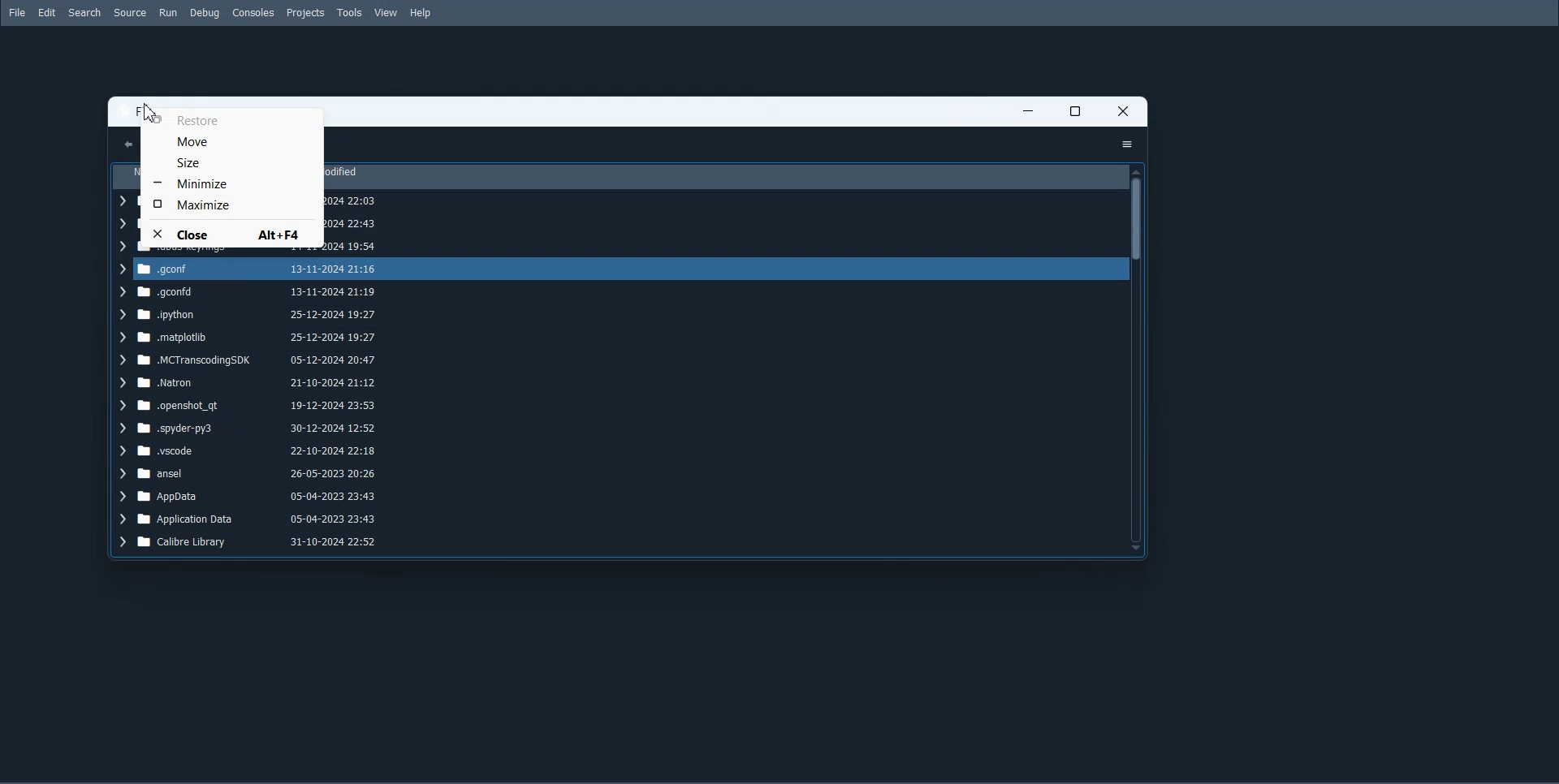 The image size is (1559, 784). I want to click on -openshot_qt 19-12-2024 23:53, so click(246, 407).